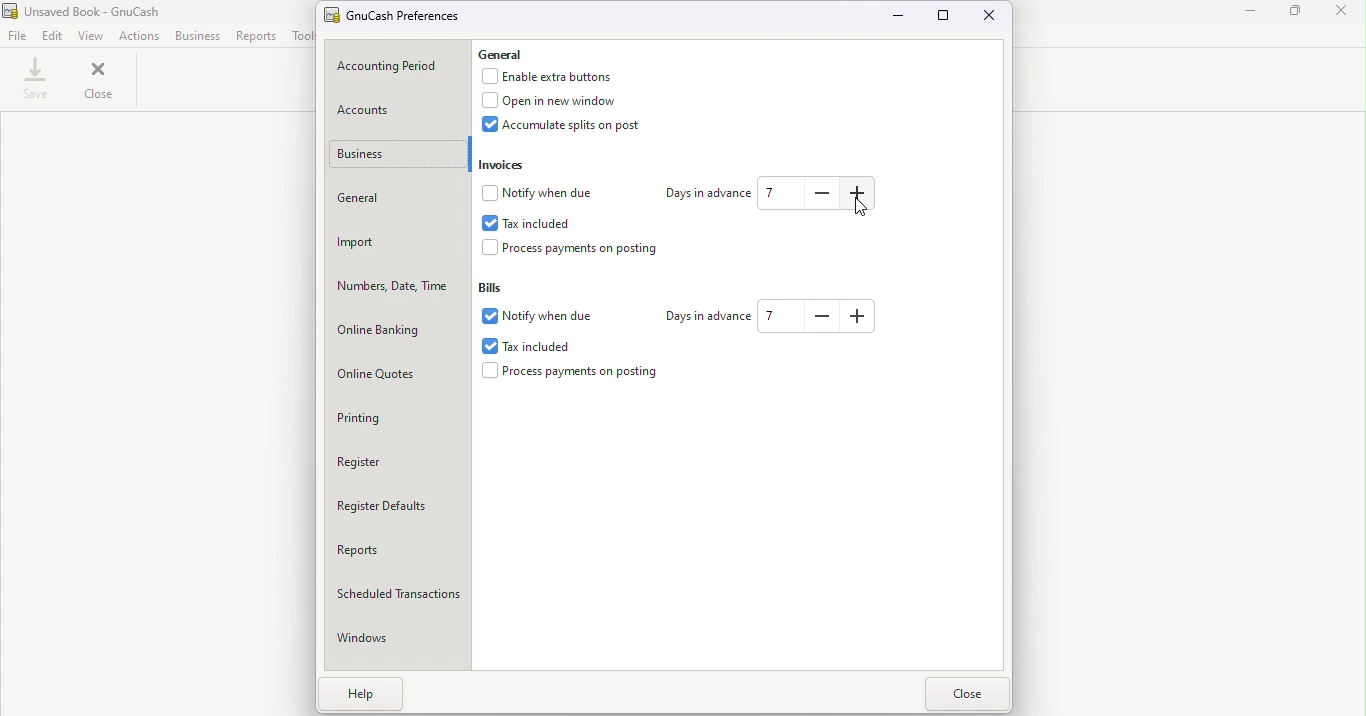 The height and width of the screenshot is (716, 1366). Describe the element at coordinates (513, 55) in the screenshot. I see `General` at that location.